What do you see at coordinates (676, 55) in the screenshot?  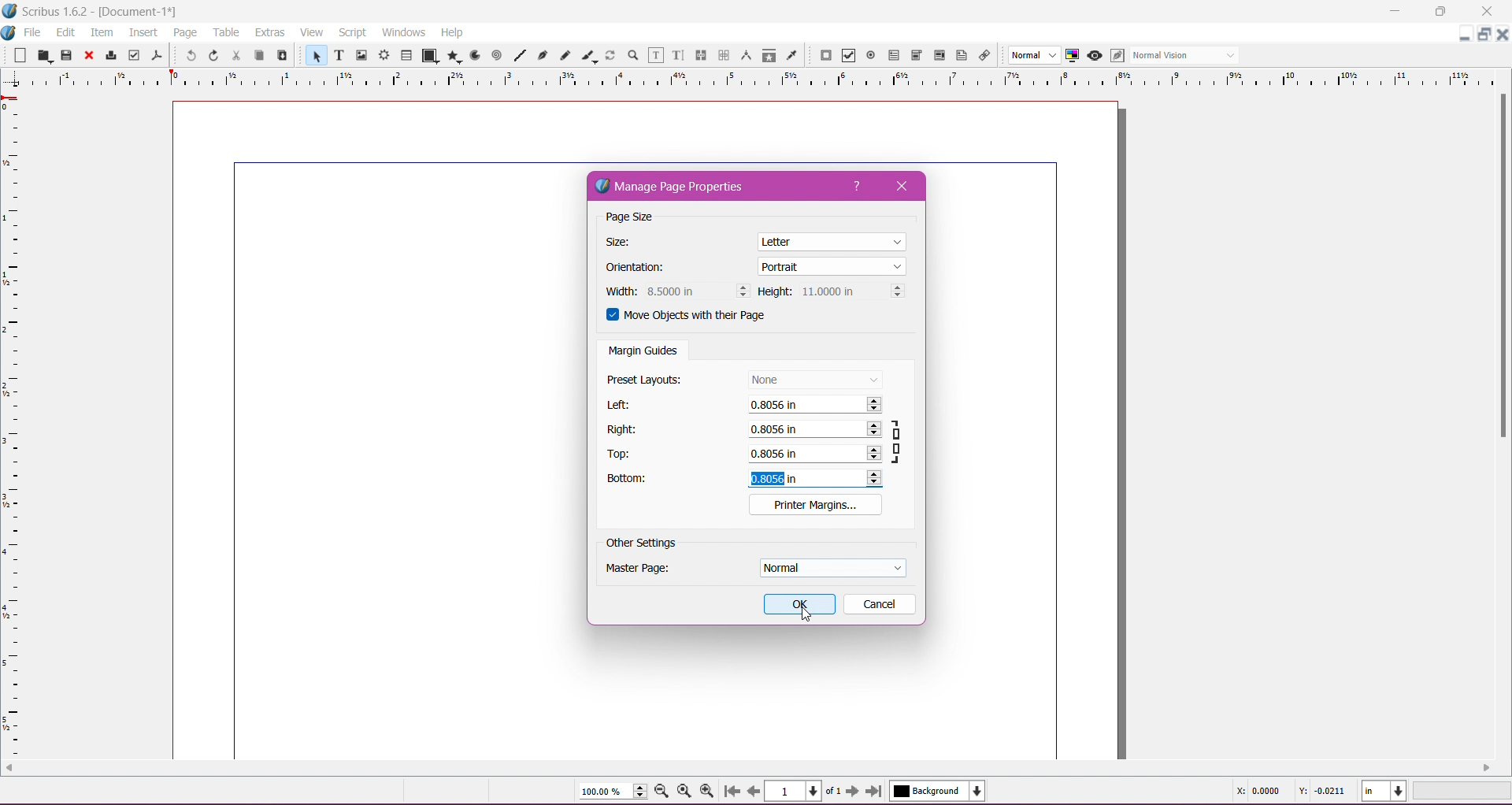 I see `Edit Text with Story Editor` at bounding box center [676, 55].